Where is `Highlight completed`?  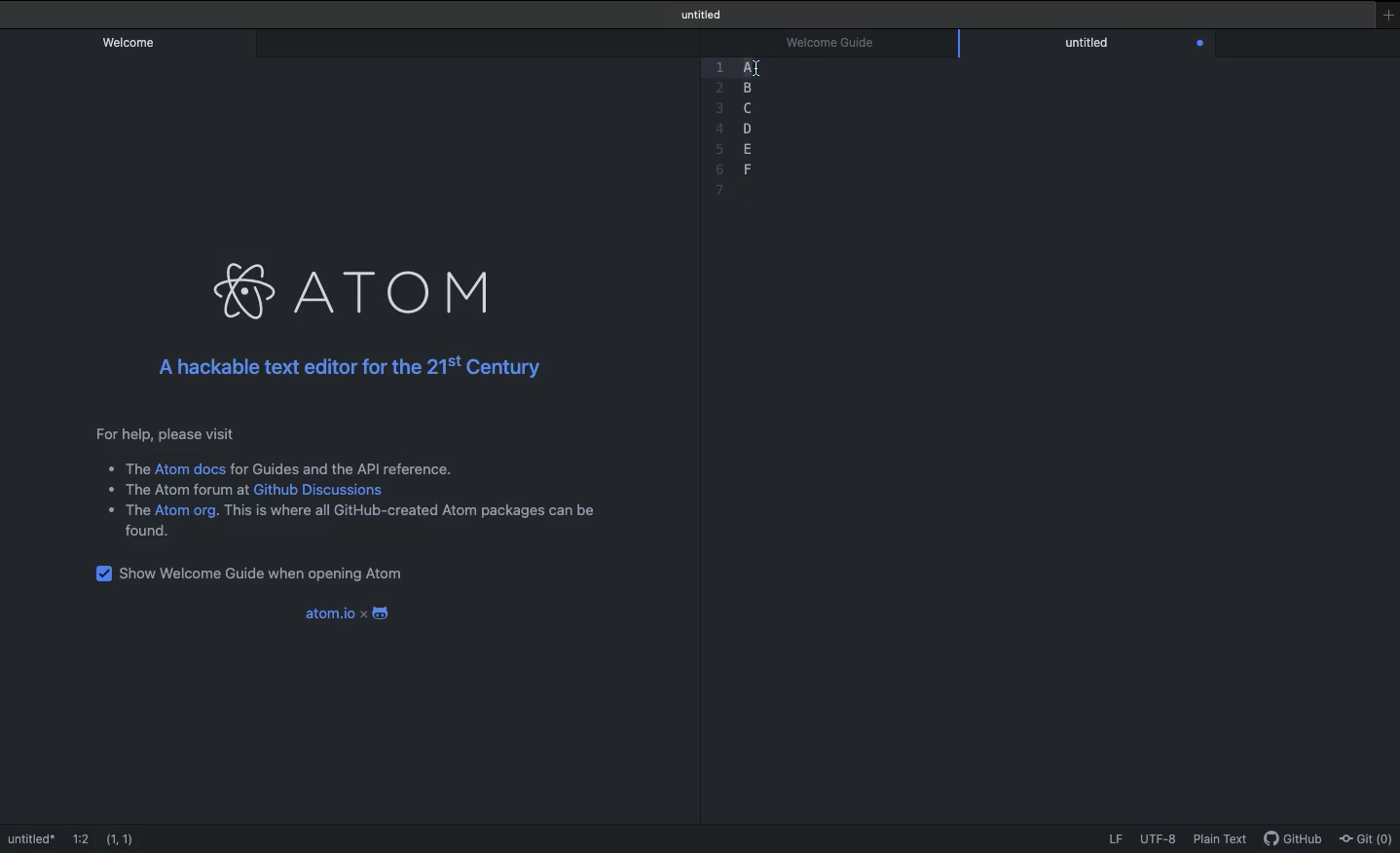 Highlight completed is located at coordinates (805, 68).